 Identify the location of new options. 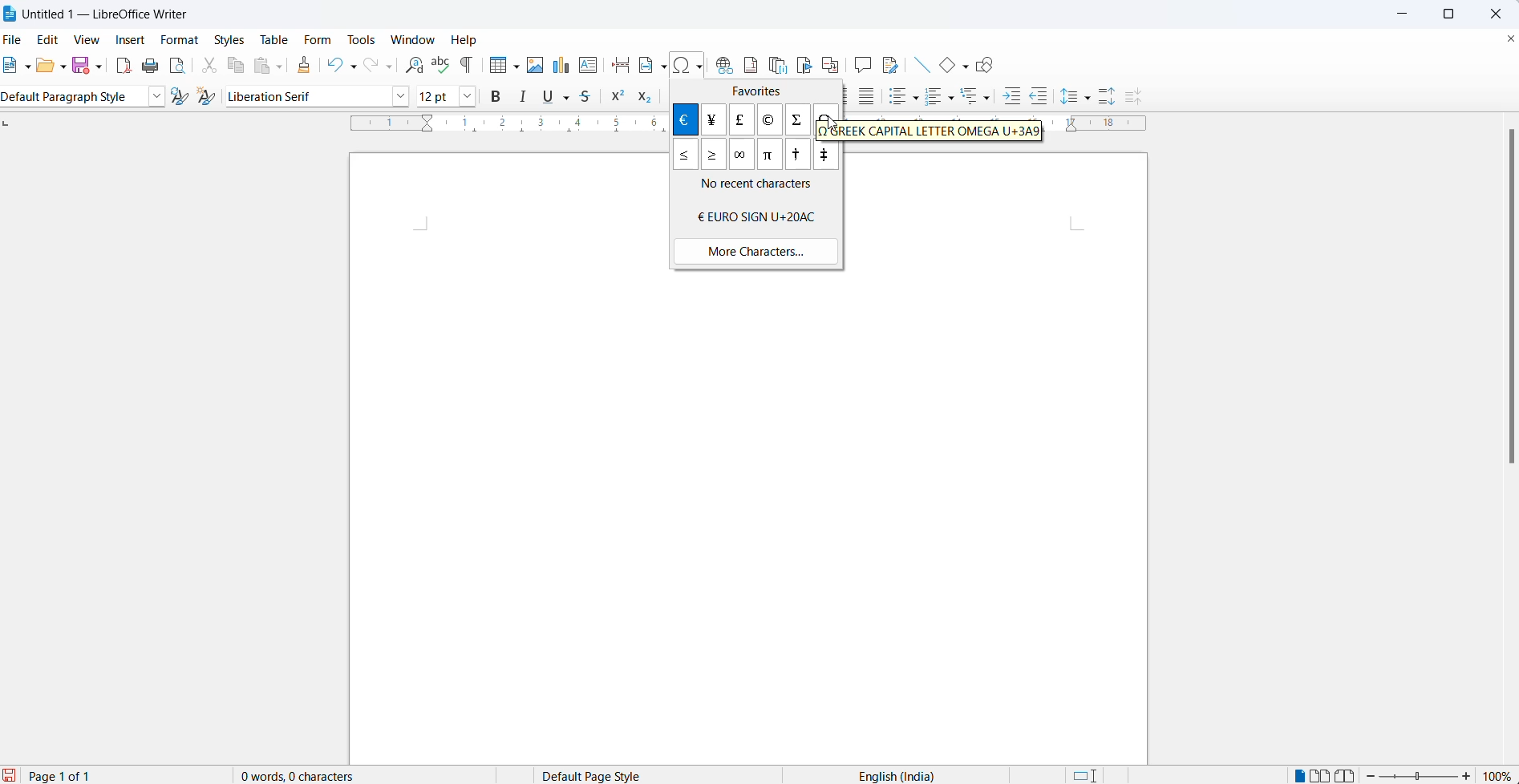
(29, 67).